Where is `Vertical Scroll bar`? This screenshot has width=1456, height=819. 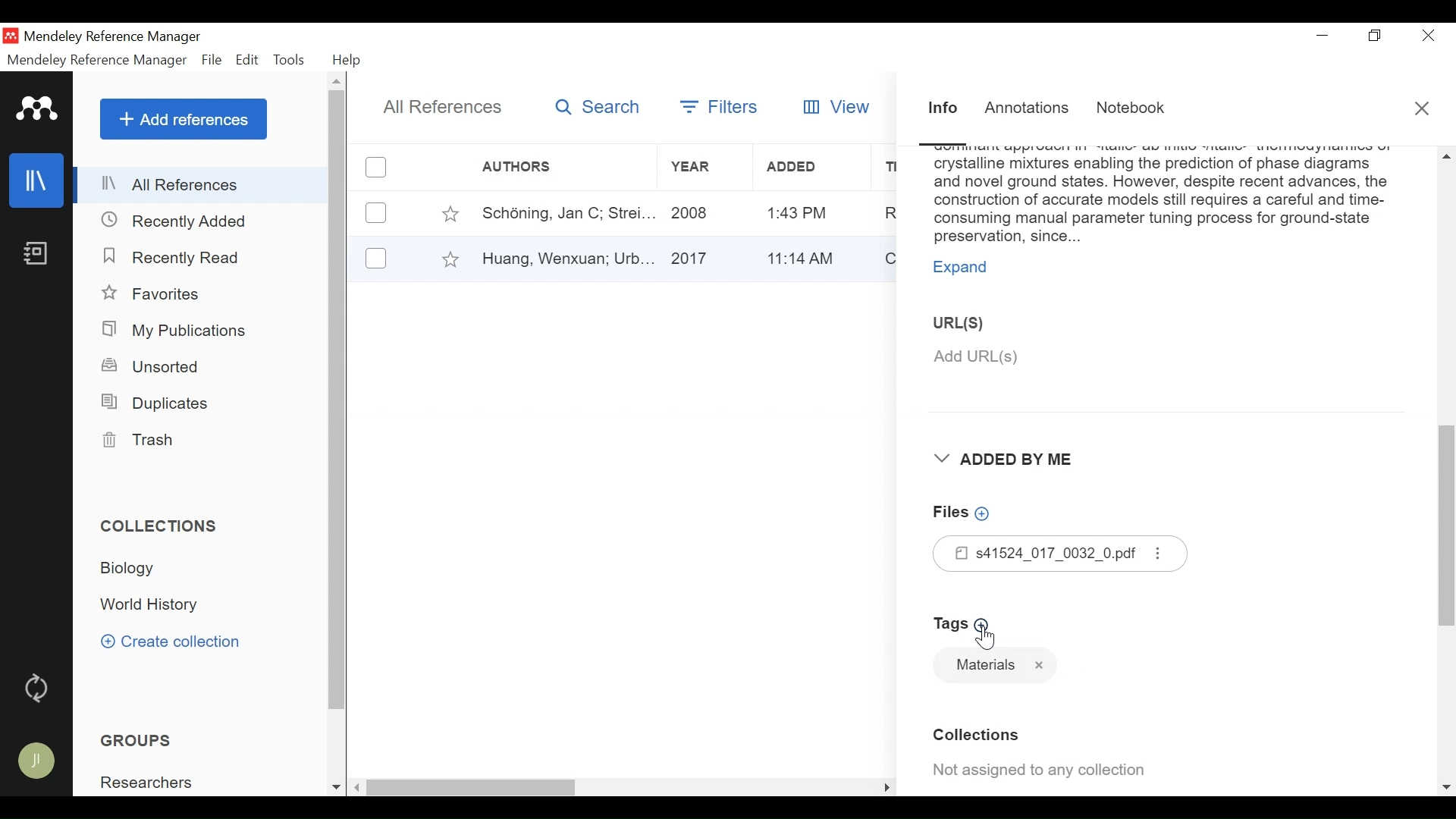
Vertical Scroll bar is located at coordinates (338, 400).